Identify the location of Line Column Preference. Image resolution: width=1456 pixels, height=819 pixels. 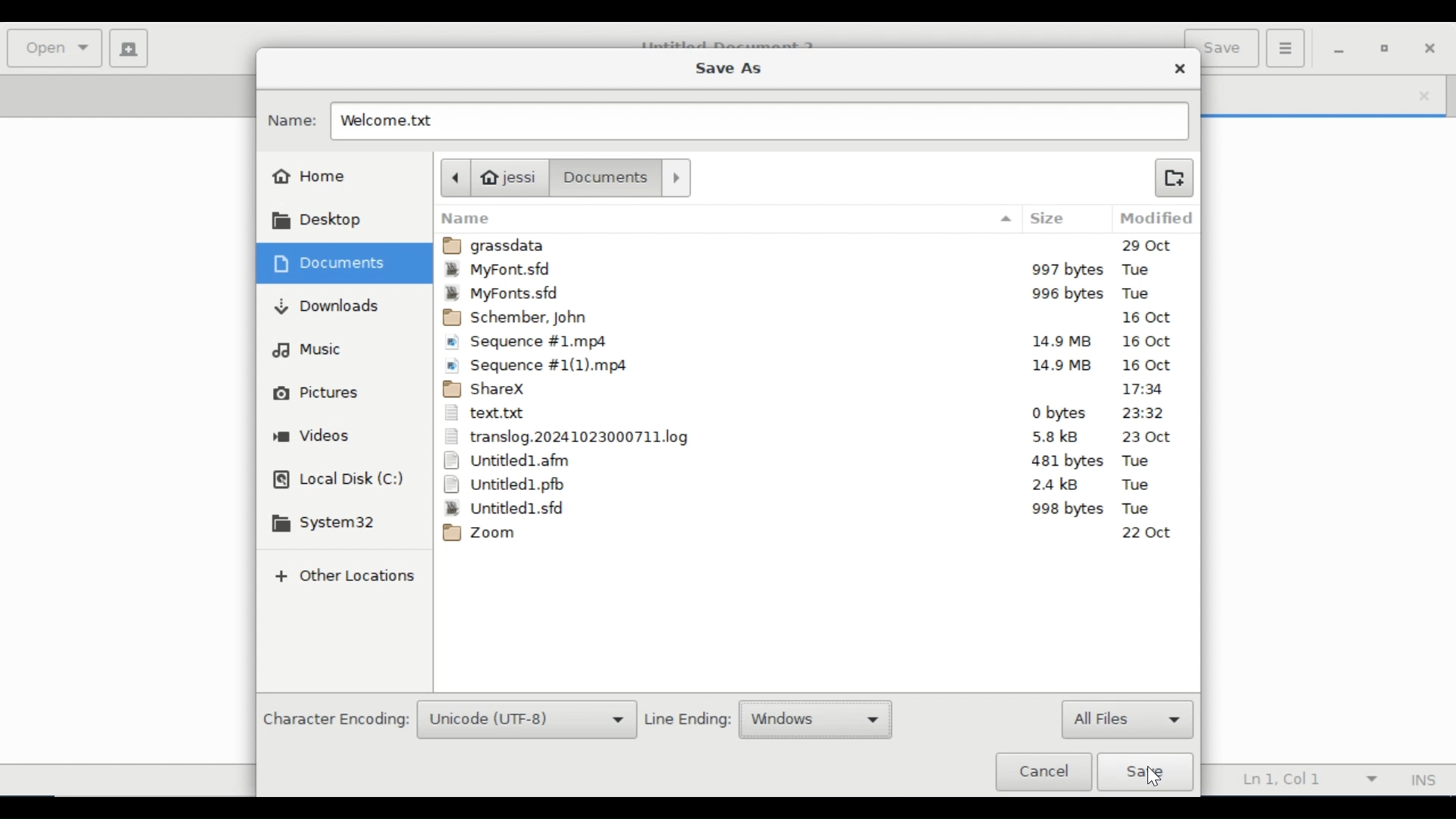
(1304, 779).